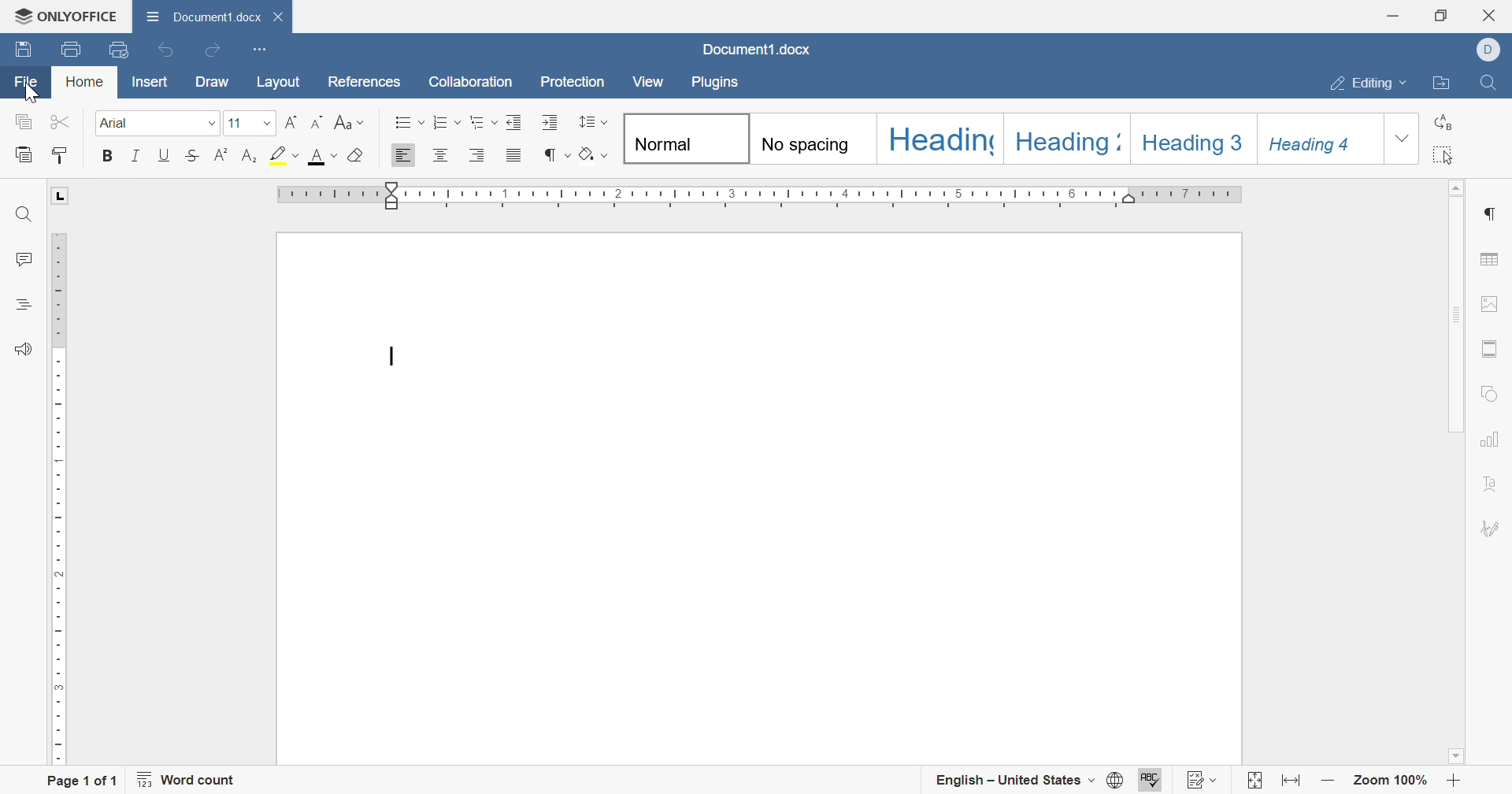 Image resolution: width=1512 pixels, height=794 pixels. Describe the element at coordinates (293, 122) in the screenshot. I see `increment font size` at that location.